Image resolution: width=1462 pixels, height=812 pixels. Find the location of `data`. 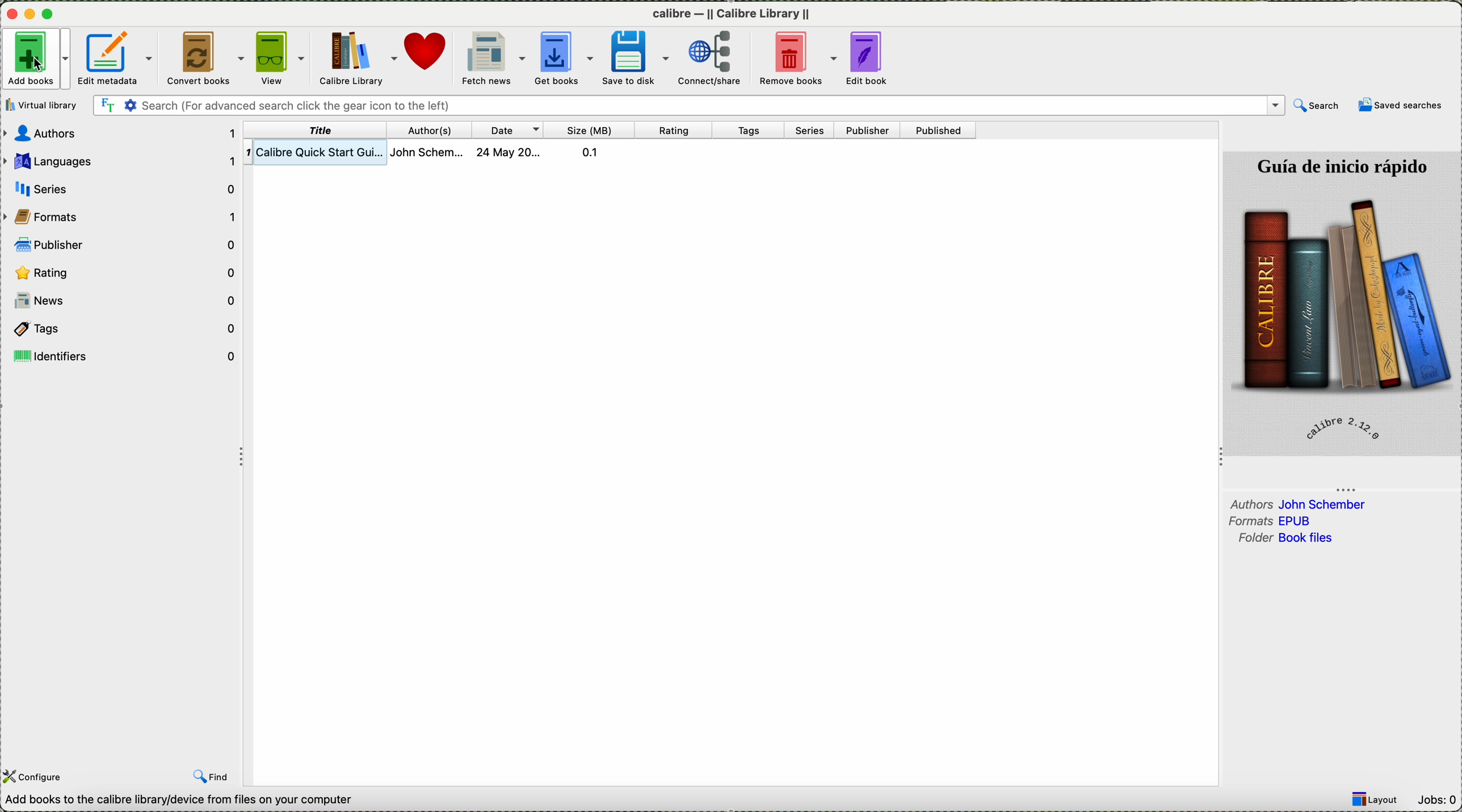

data is located at coordinates (177, 801).